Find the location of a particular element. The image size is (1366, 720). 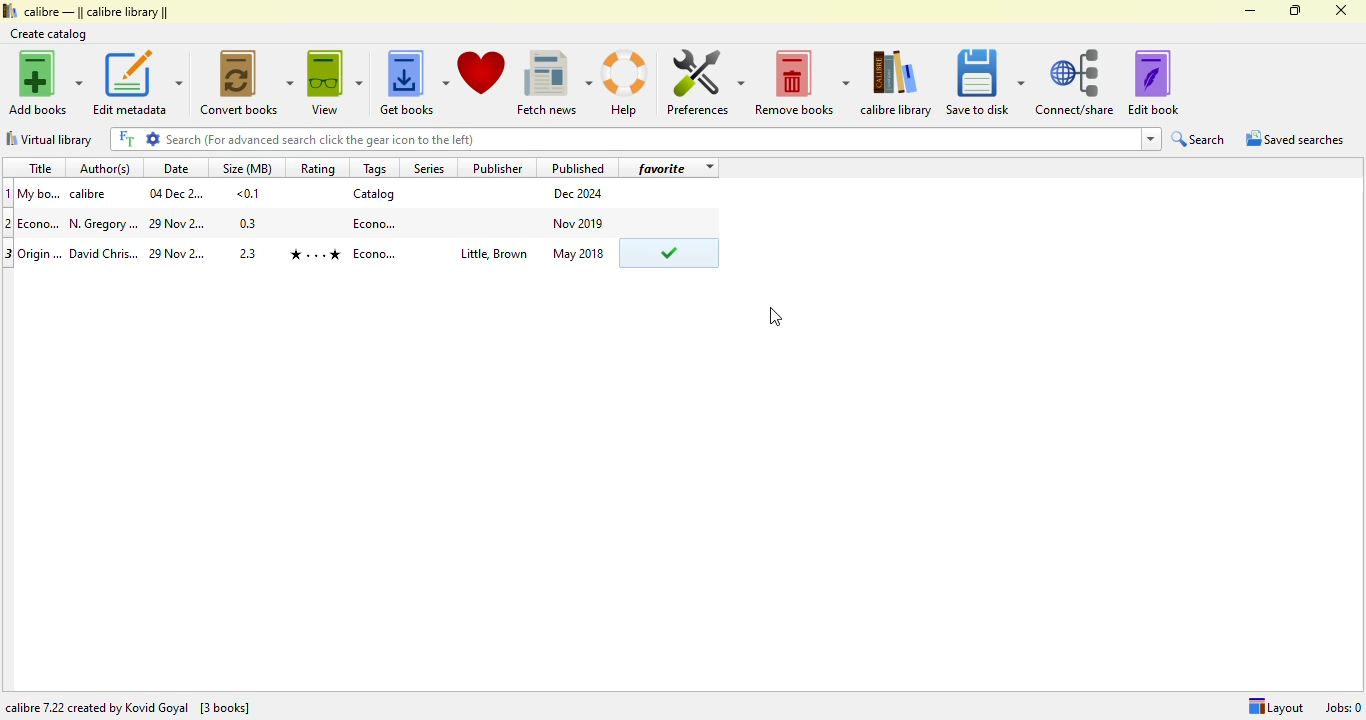

tag is located at coordinates (377, 254).